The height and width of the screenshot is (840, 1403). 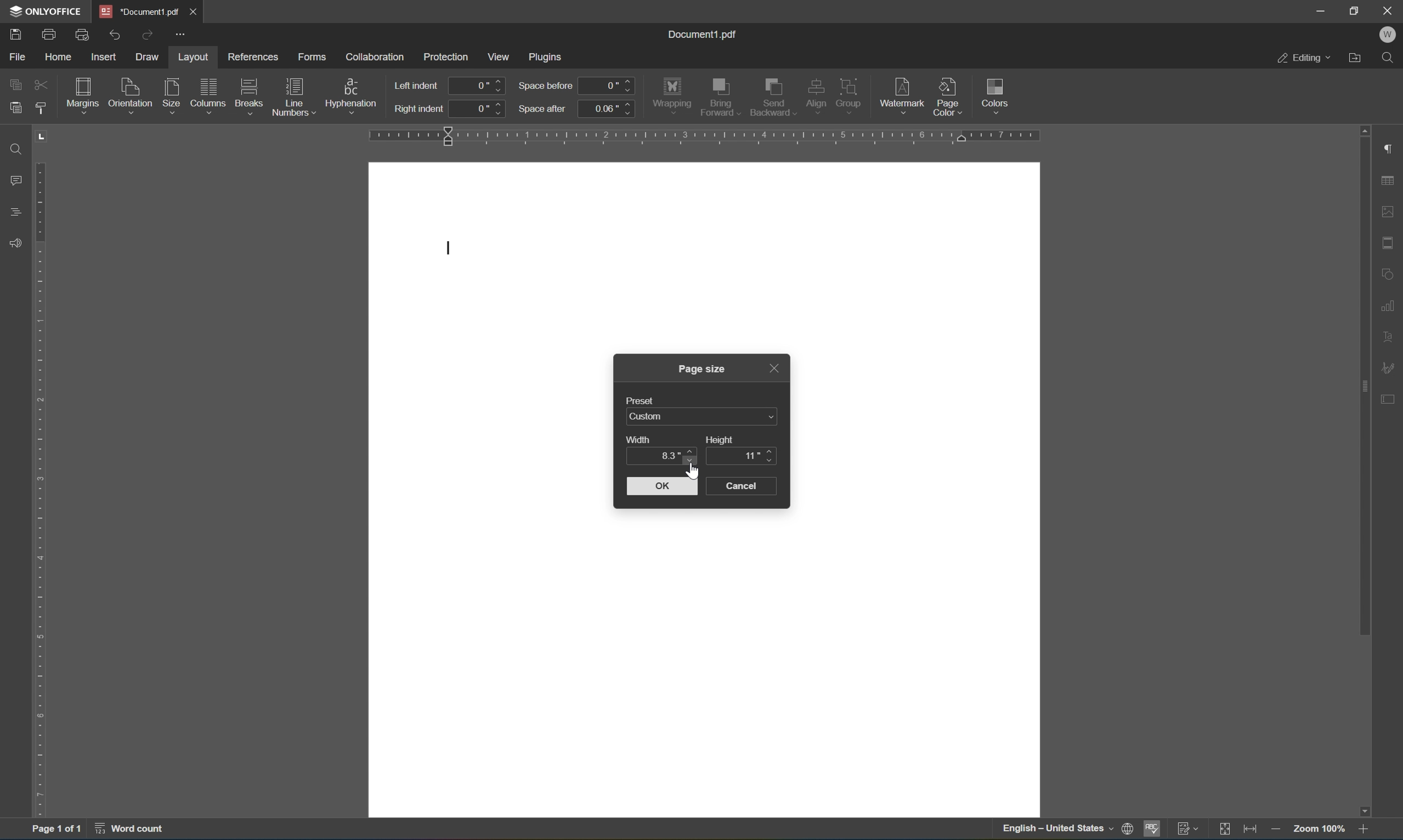 I want to click on headings, so click(x=12, y=213).